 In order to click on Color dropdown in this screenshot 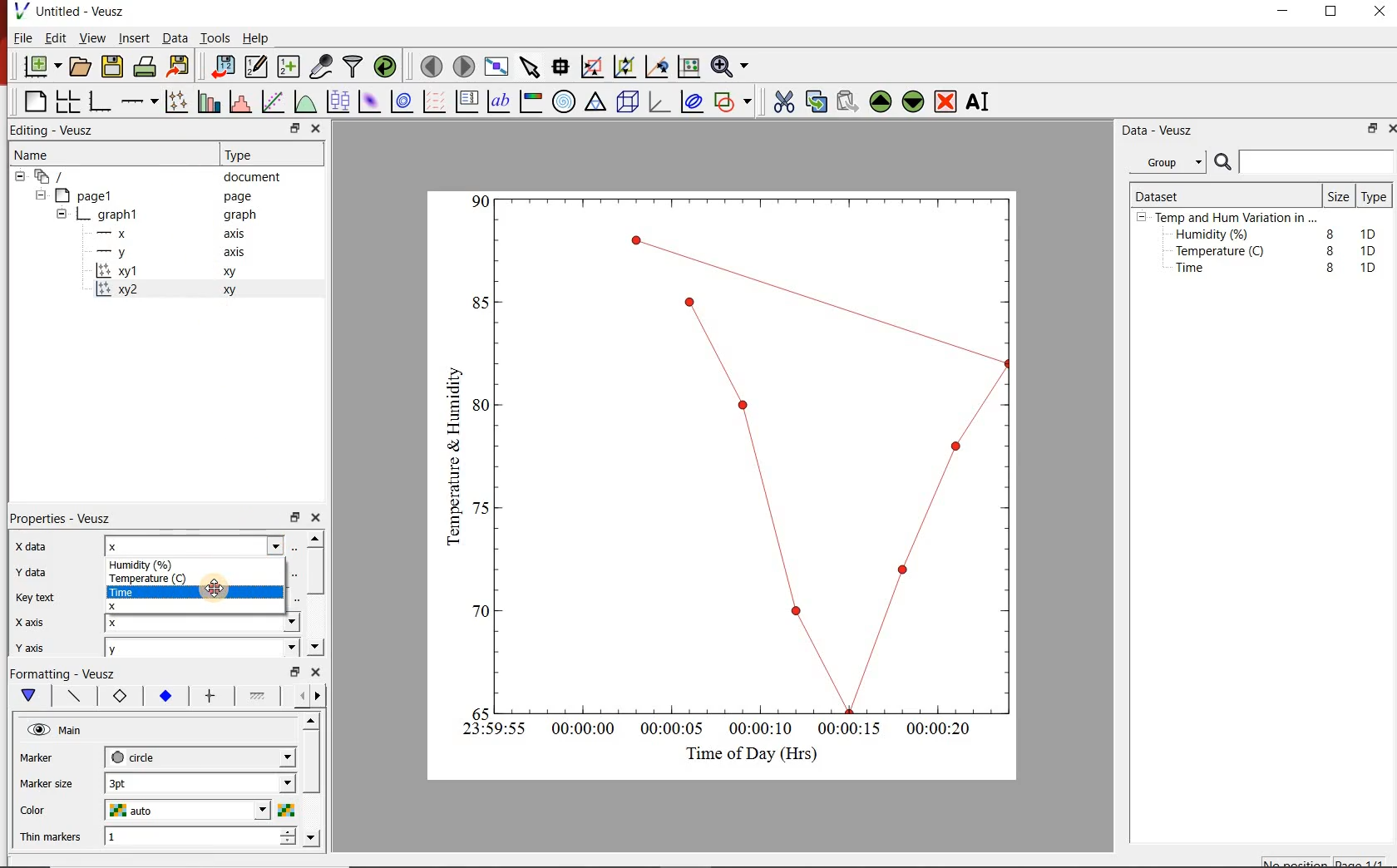, I will do `click(237, 811)`.